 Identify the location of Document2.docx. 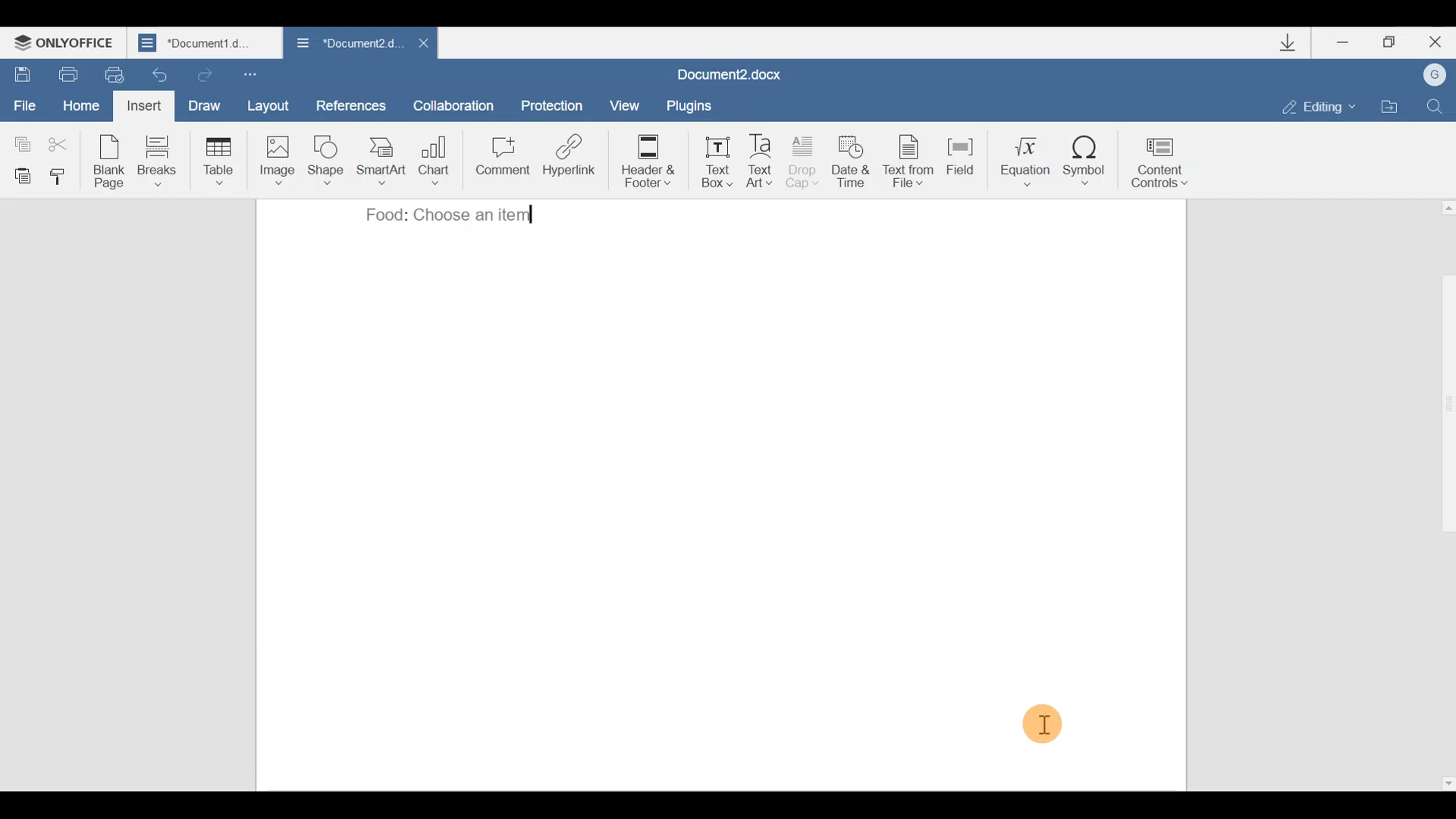
(342, 44).